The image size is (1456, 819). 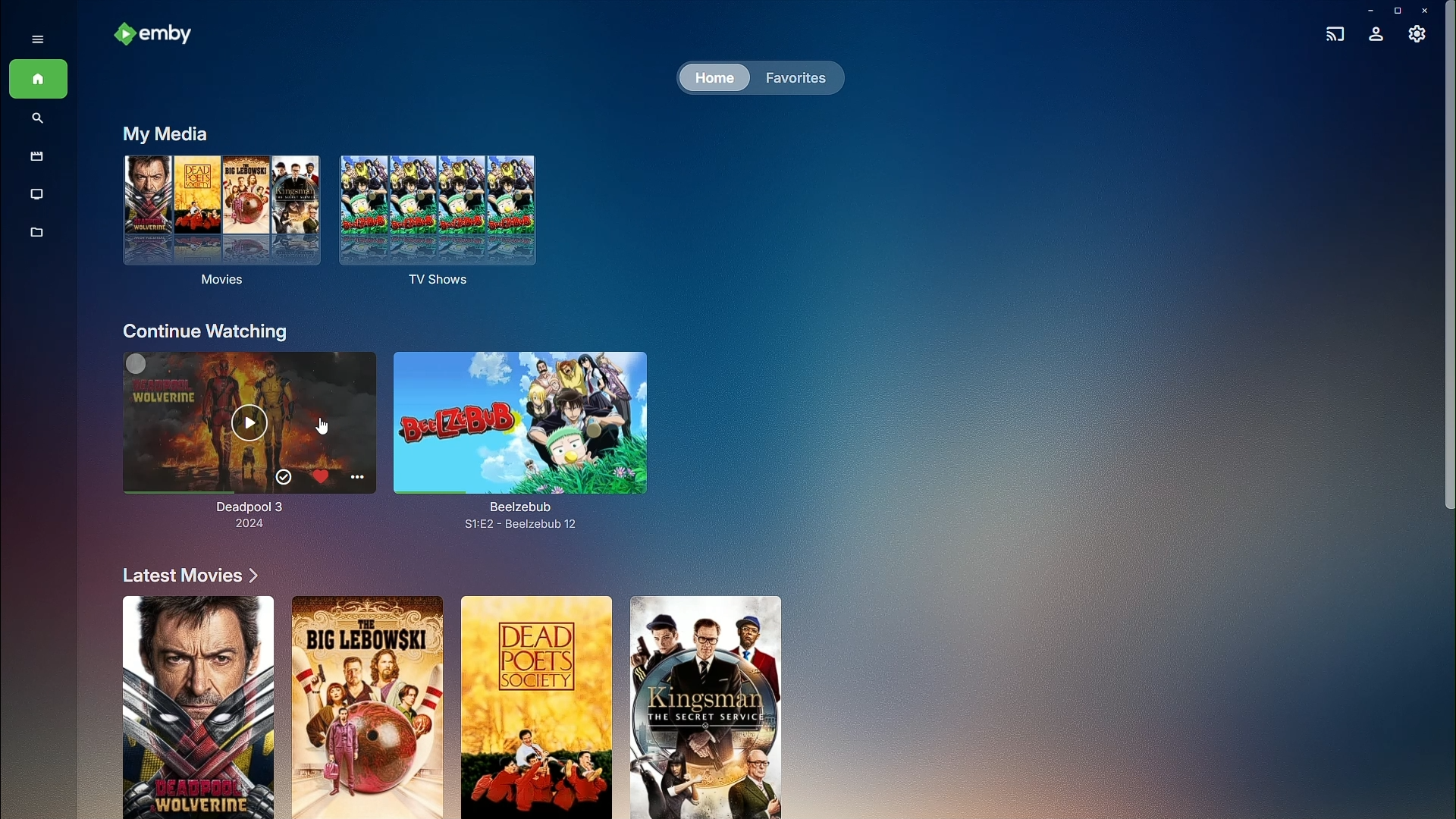 I want to click on Movies, so click(x=221, y=223).